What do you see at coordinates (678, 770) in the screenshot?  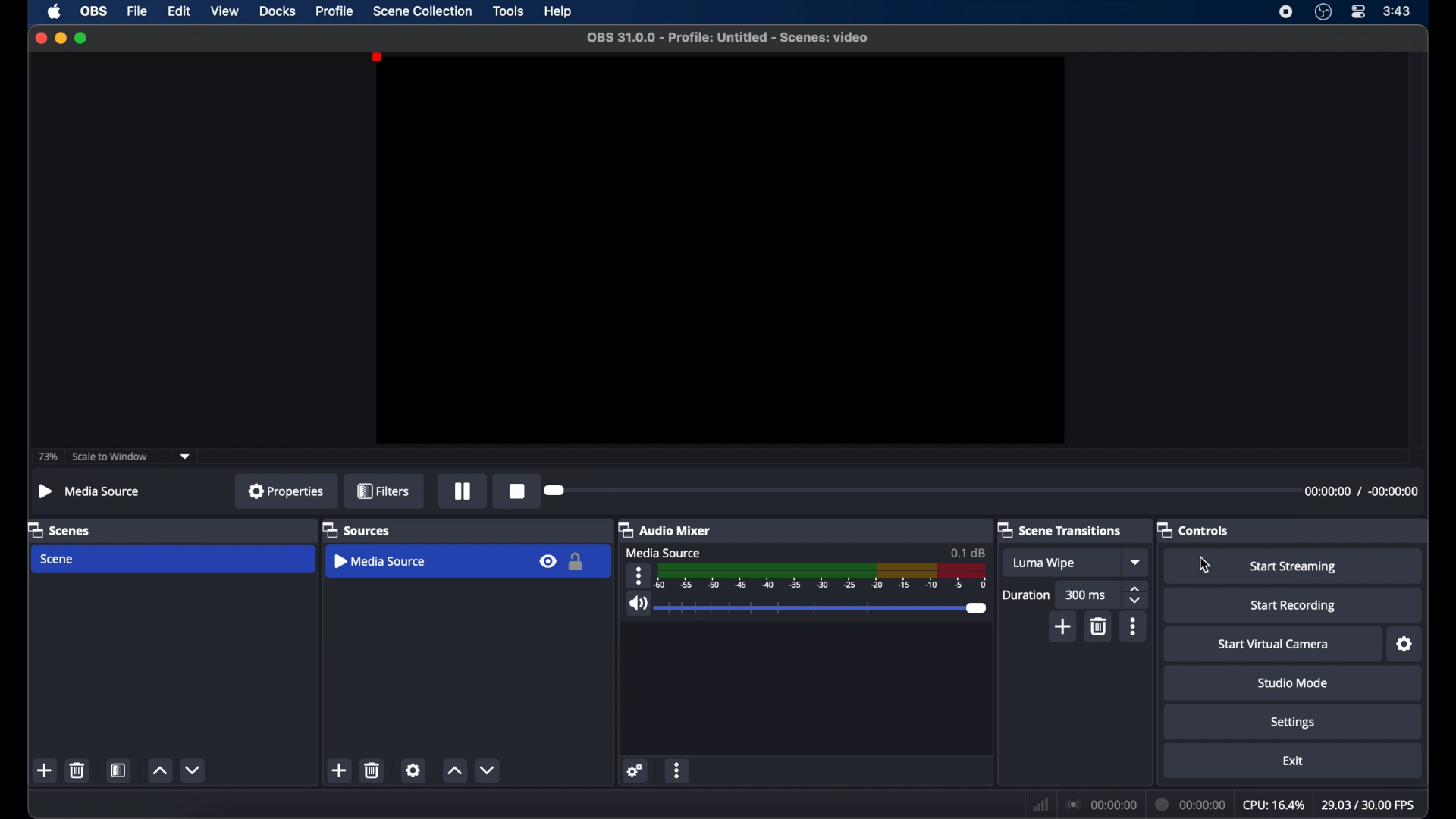 I see `more options` at bounding box center [678, 770].